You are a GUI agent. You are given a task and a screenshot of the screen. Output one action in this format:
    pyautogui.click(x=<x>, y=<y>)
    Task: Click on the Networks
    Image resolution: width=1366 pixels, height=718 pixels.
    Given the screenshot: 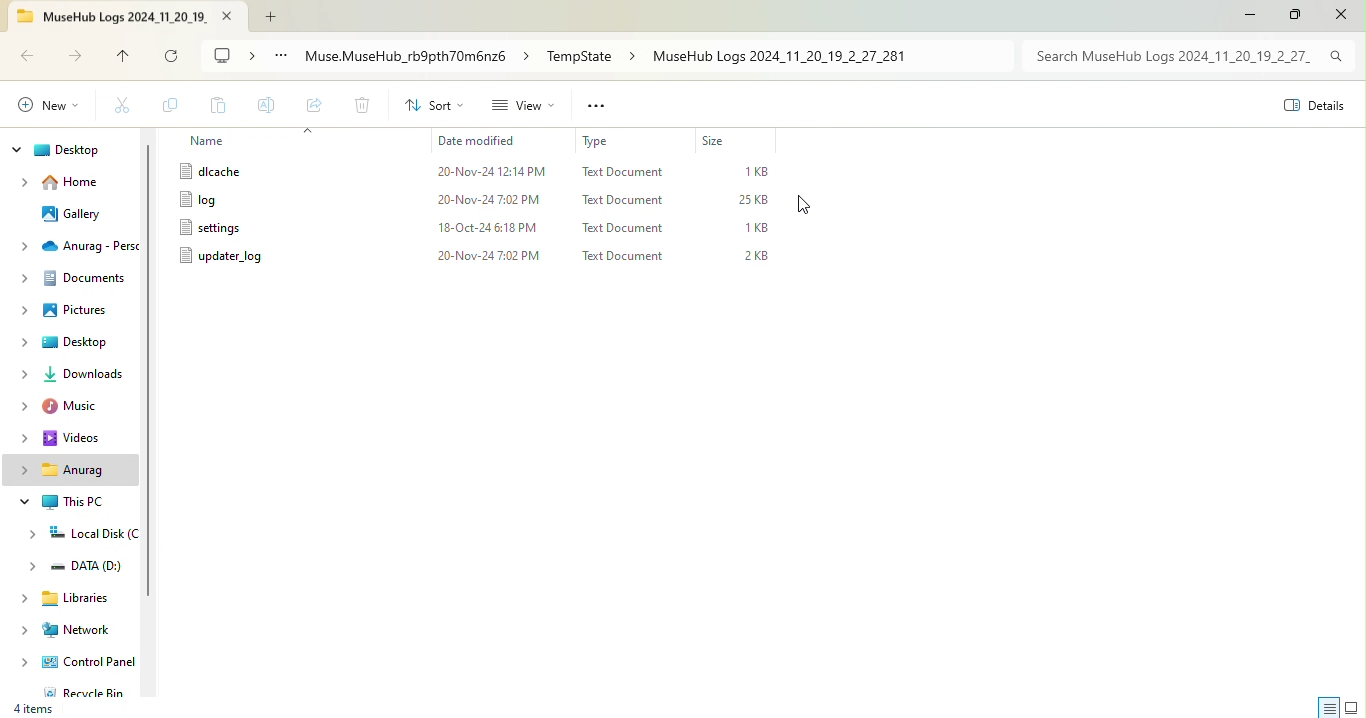 What is the action you would take?
    pyautogui.click(x=69, y=630)
    